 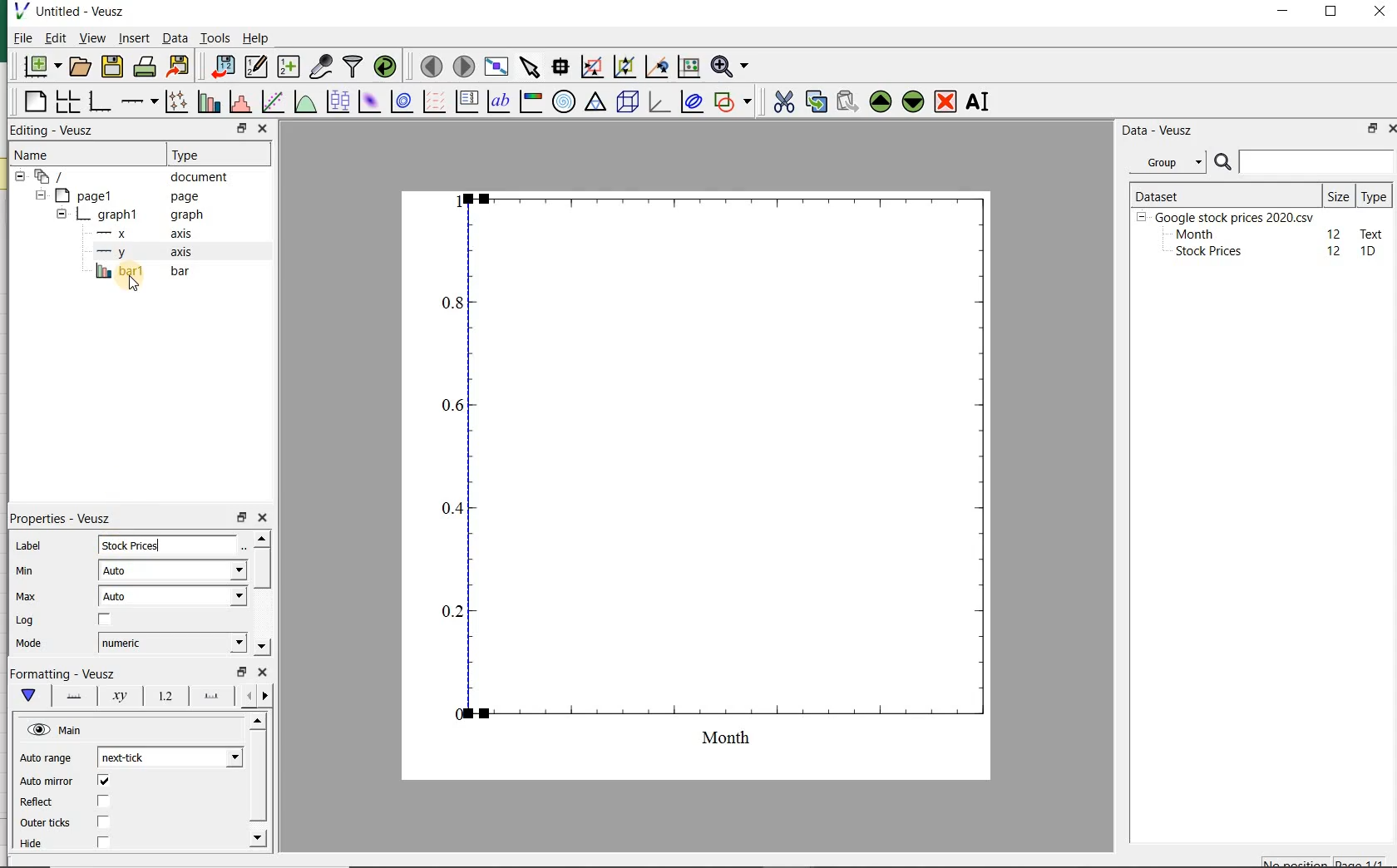 I want to click on tick labels, so click(x=162, y=698).